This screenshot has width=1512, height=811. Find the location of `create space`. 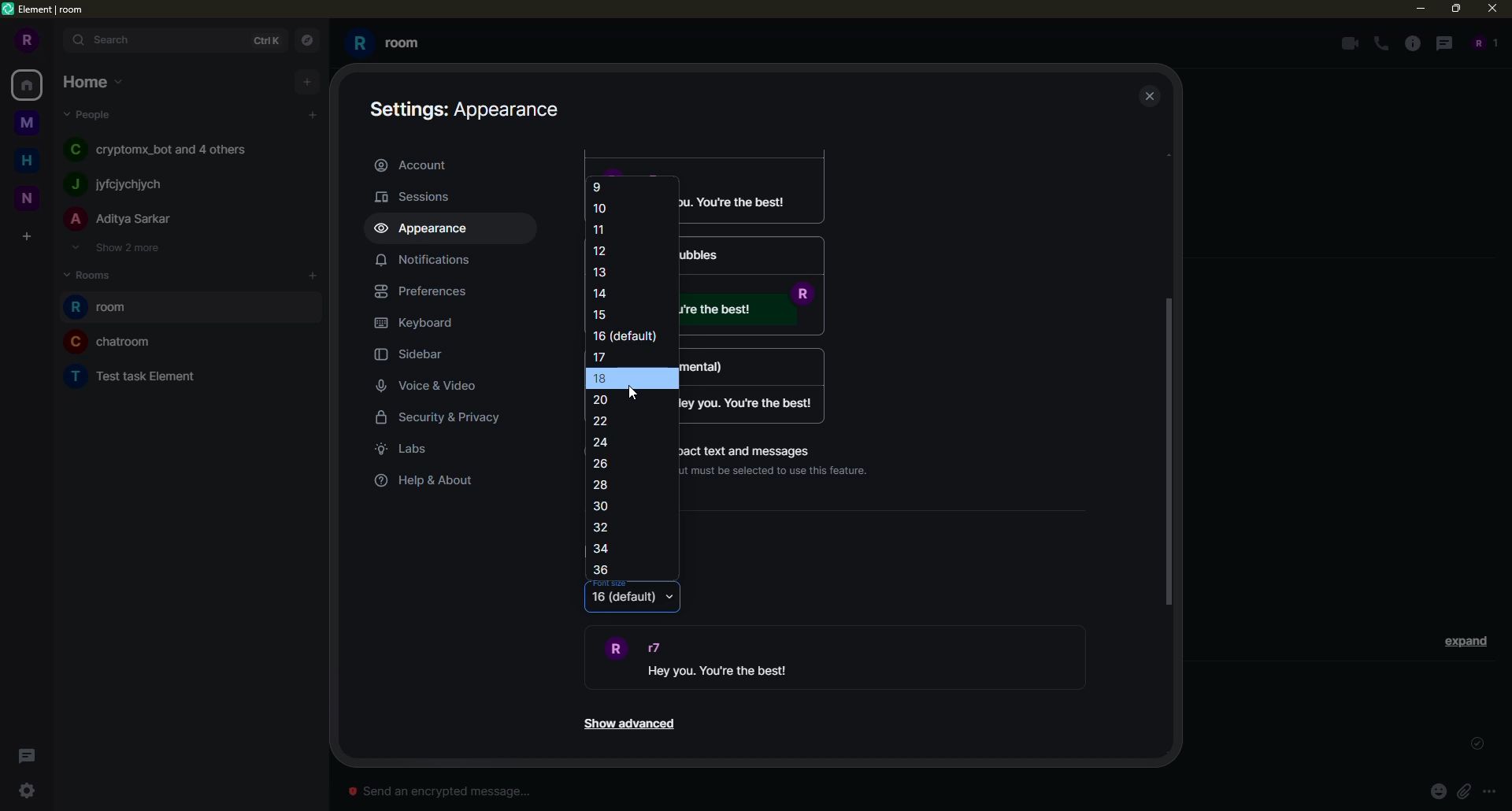

create space is located at coordinates (26, 238).